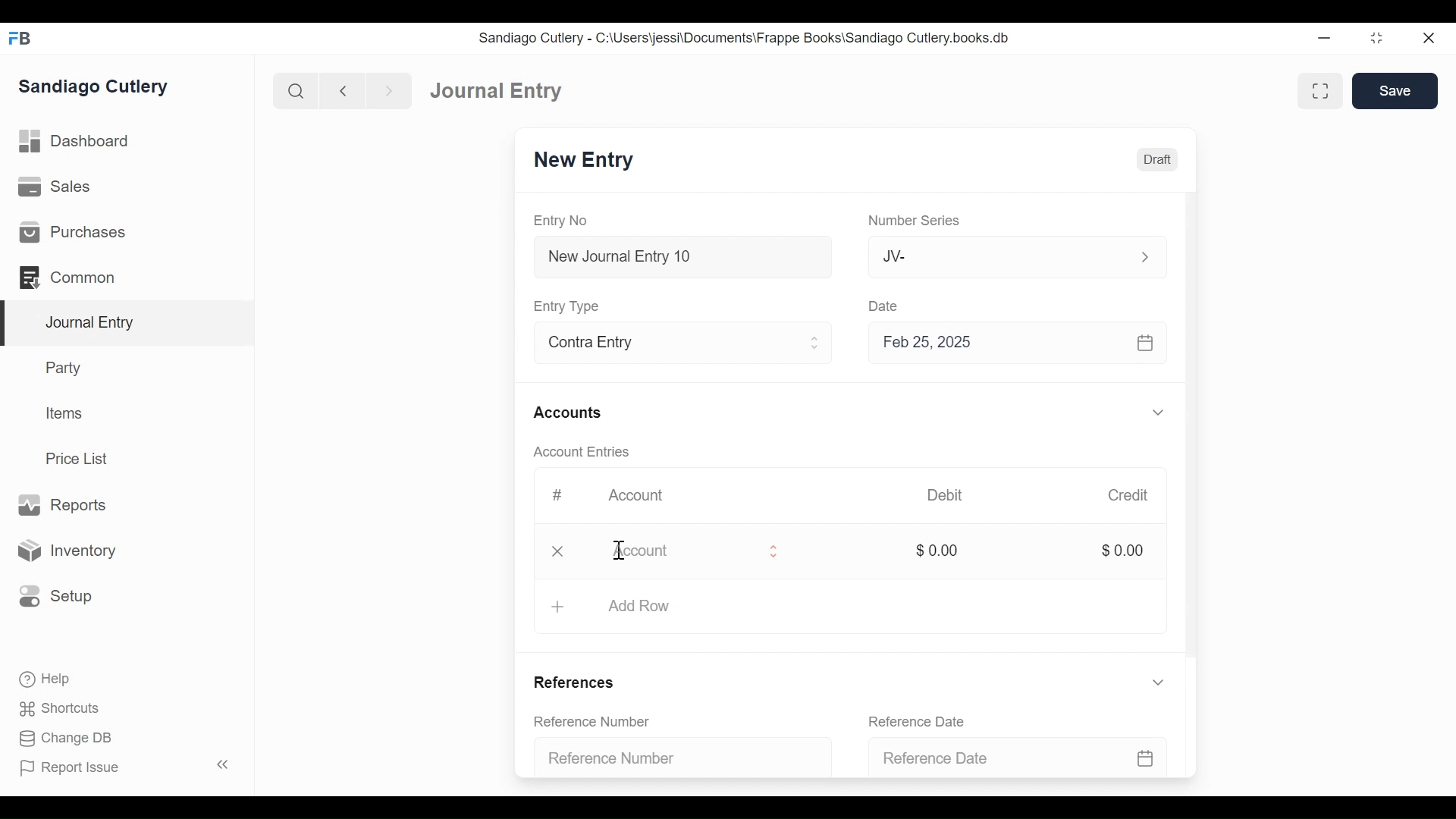  I want to click on +, so click(557, 605).